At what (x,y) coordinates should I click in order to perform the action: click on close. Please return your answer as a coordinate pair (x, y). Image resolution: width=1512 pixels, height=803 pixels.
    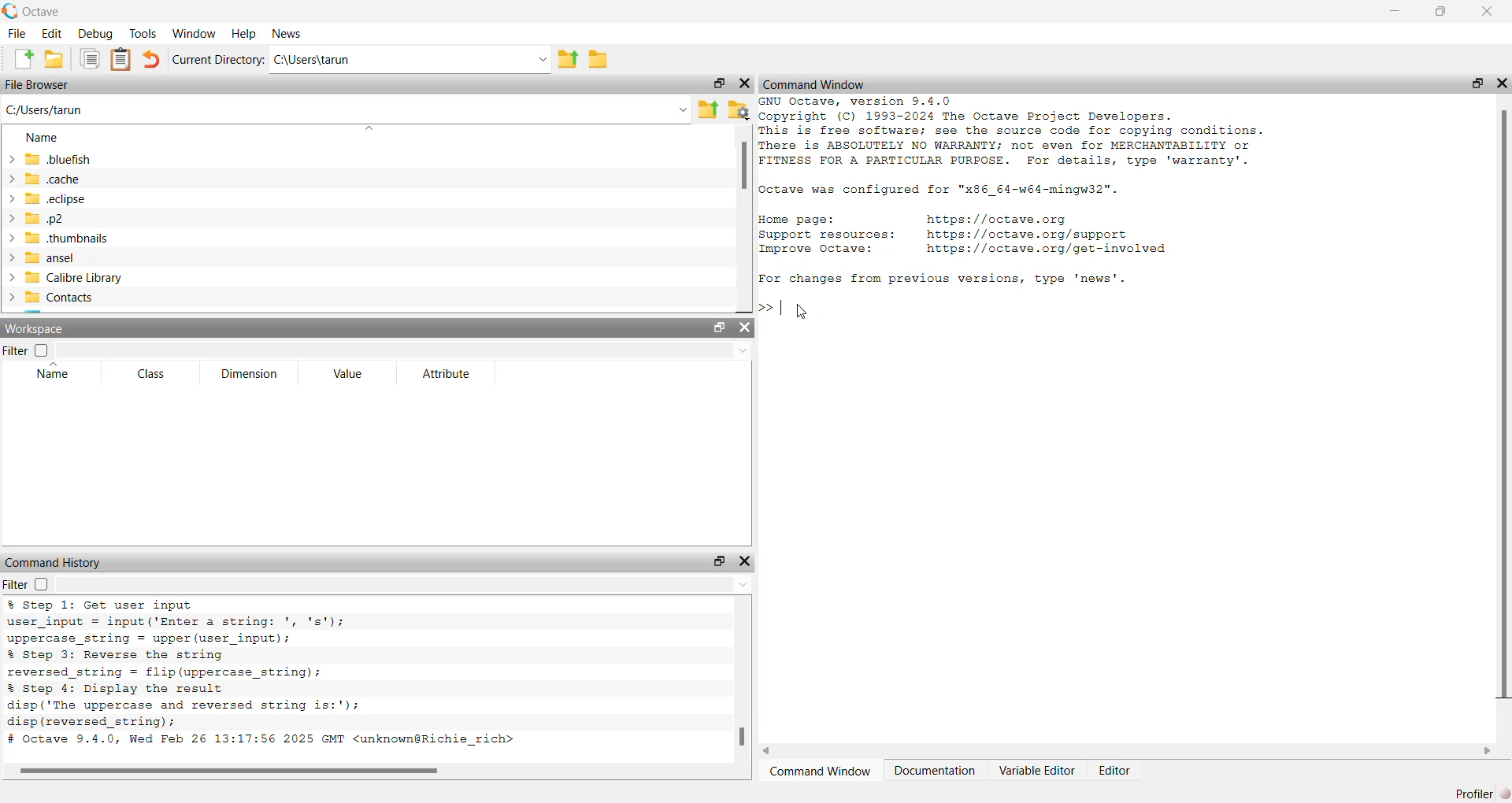
    Looking at the image, I should click on (1492, 9).